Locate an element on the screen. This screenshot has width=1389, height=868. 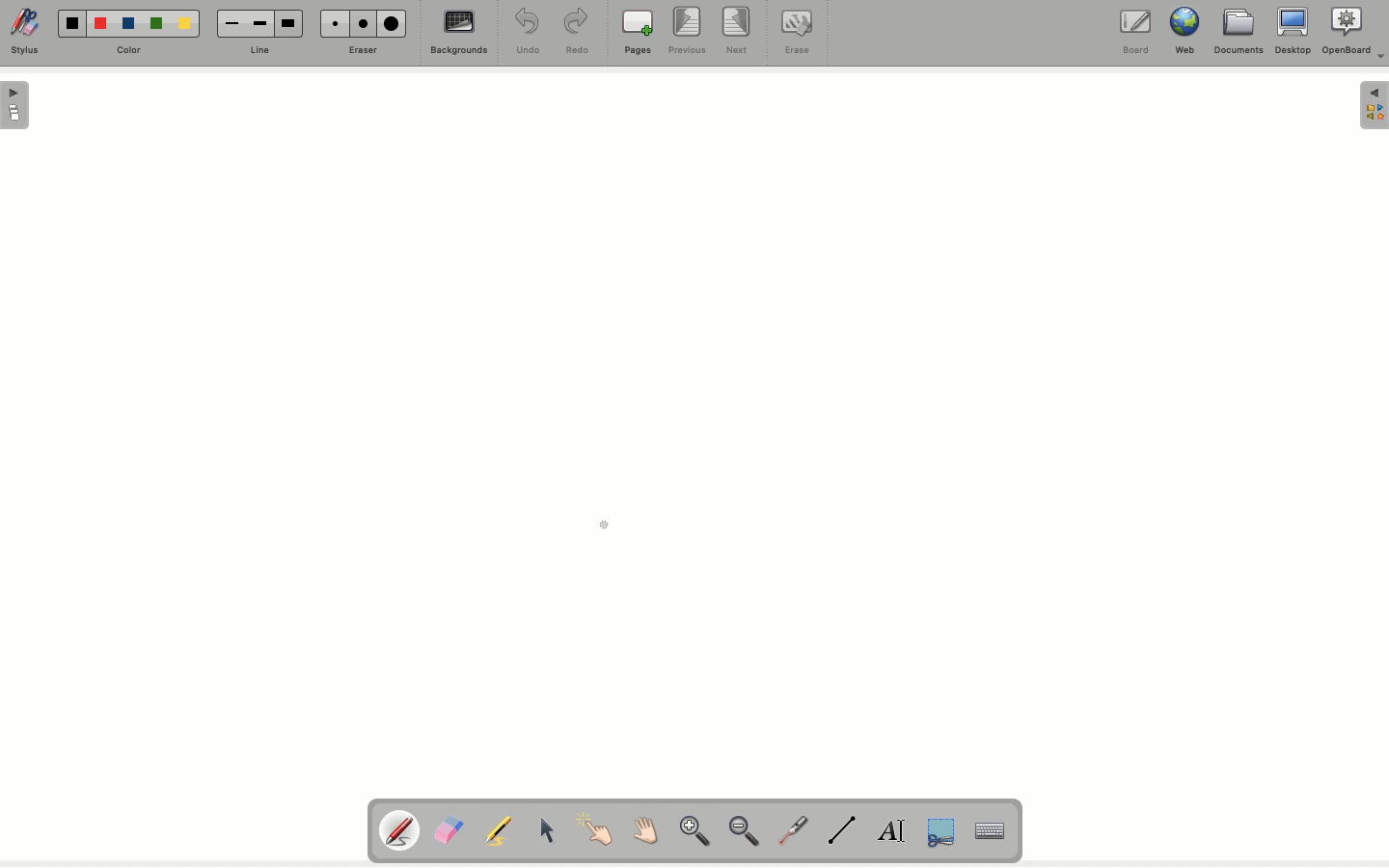
Next is located at coordinates (738, 30).